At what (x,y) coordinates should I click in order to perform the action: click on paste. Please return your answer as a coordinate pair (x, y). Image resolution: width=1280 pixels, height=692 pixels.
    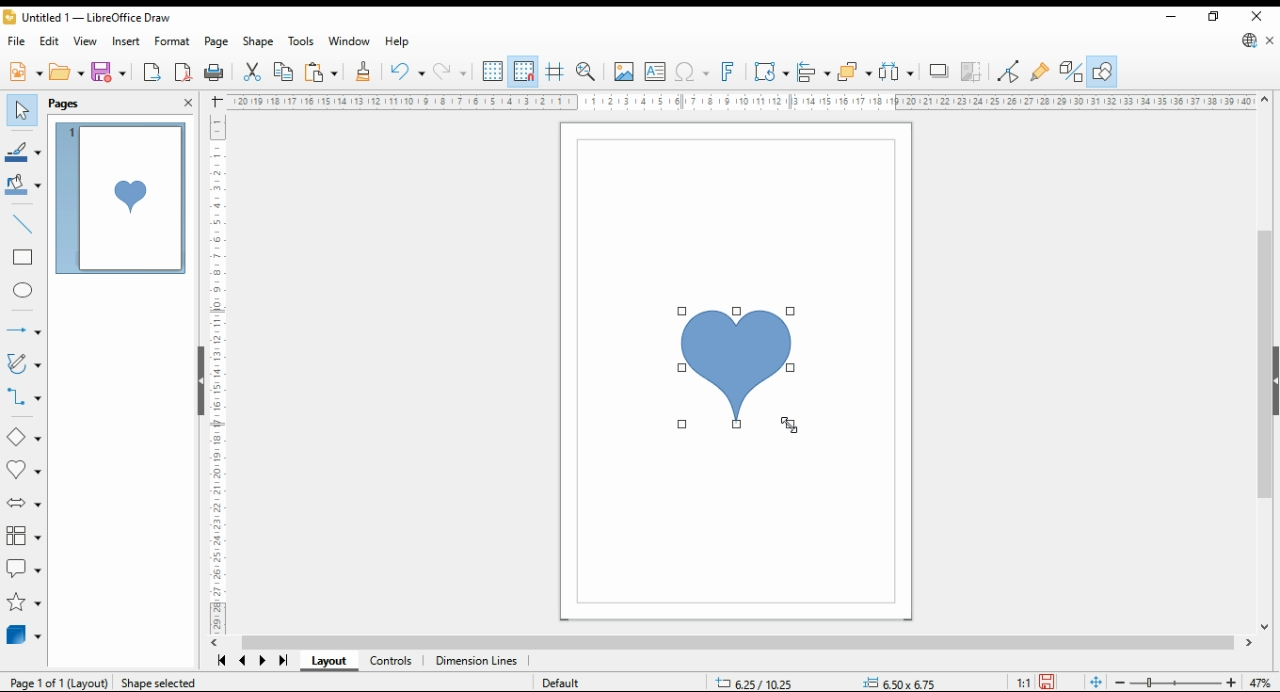
    Looking at the image, I should click on (320, 72).